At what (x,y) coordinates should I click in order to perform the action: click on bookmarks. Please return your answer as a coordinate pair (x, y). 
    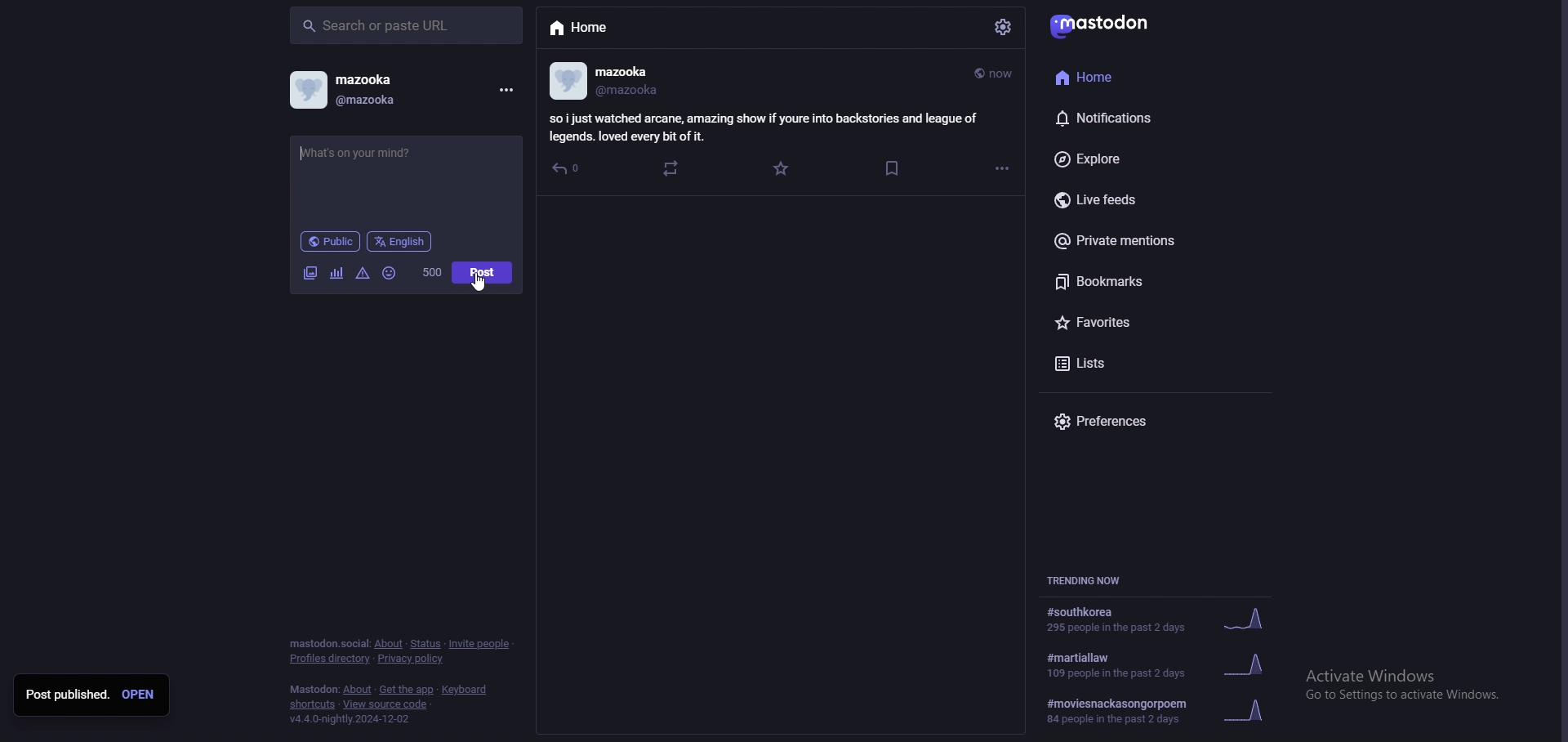
    Looking at the image, I should click on (1125, 284).